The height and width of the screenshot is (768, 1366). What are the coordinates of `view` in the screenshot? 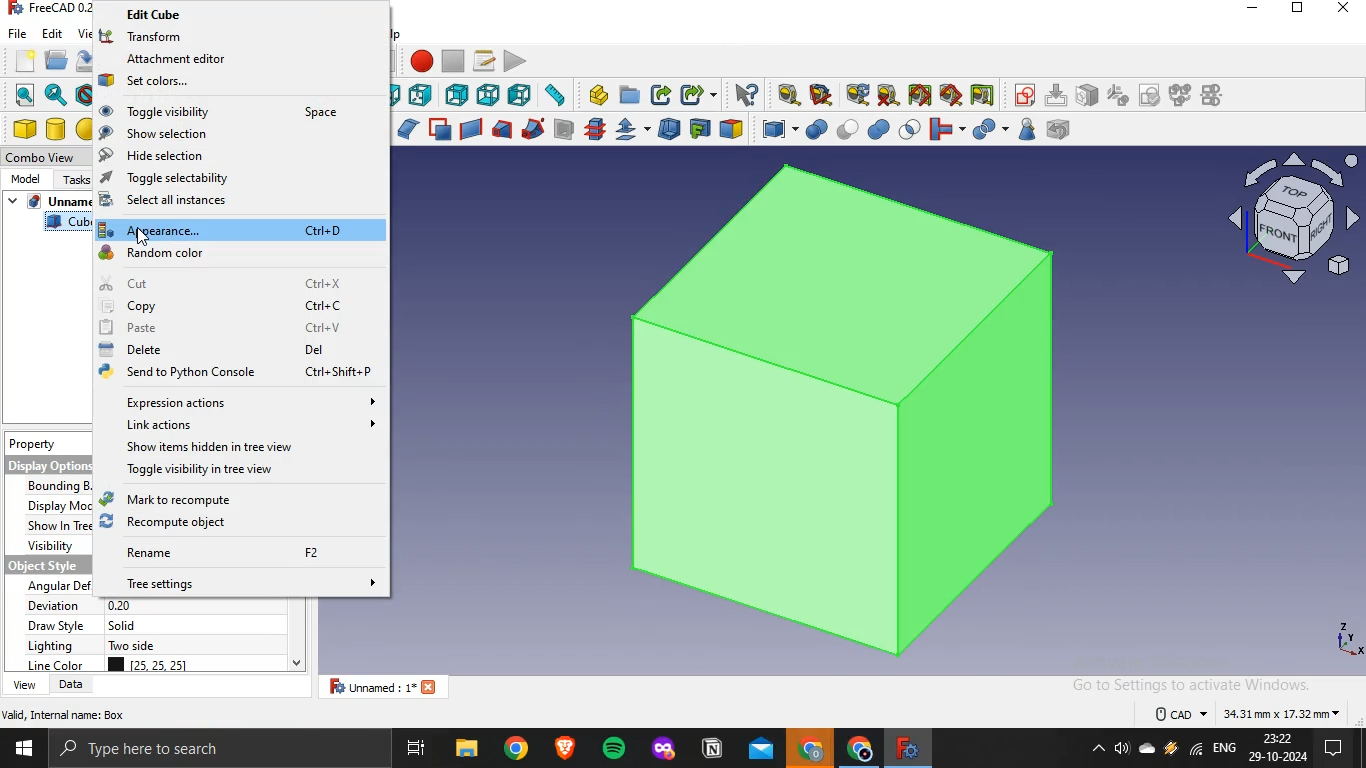 It's located at (25, 685).